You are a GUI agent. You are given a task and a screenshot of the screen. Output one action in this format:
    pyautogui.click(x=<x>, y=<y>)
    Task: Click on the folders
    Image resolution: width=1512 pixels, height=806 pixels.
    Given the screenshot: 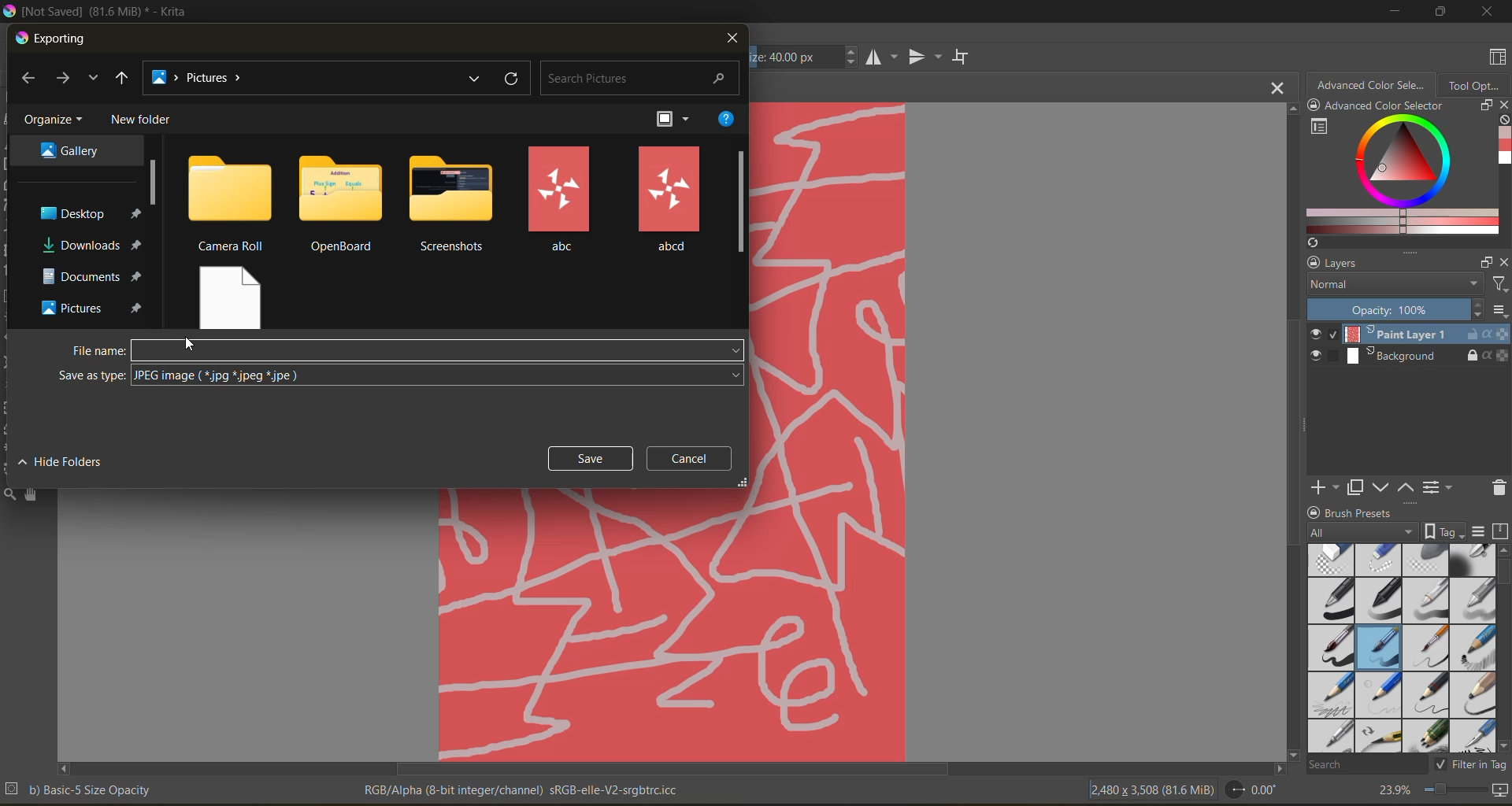 What is the action you would take?
    pyautogui.click(x=455, y=205)
    